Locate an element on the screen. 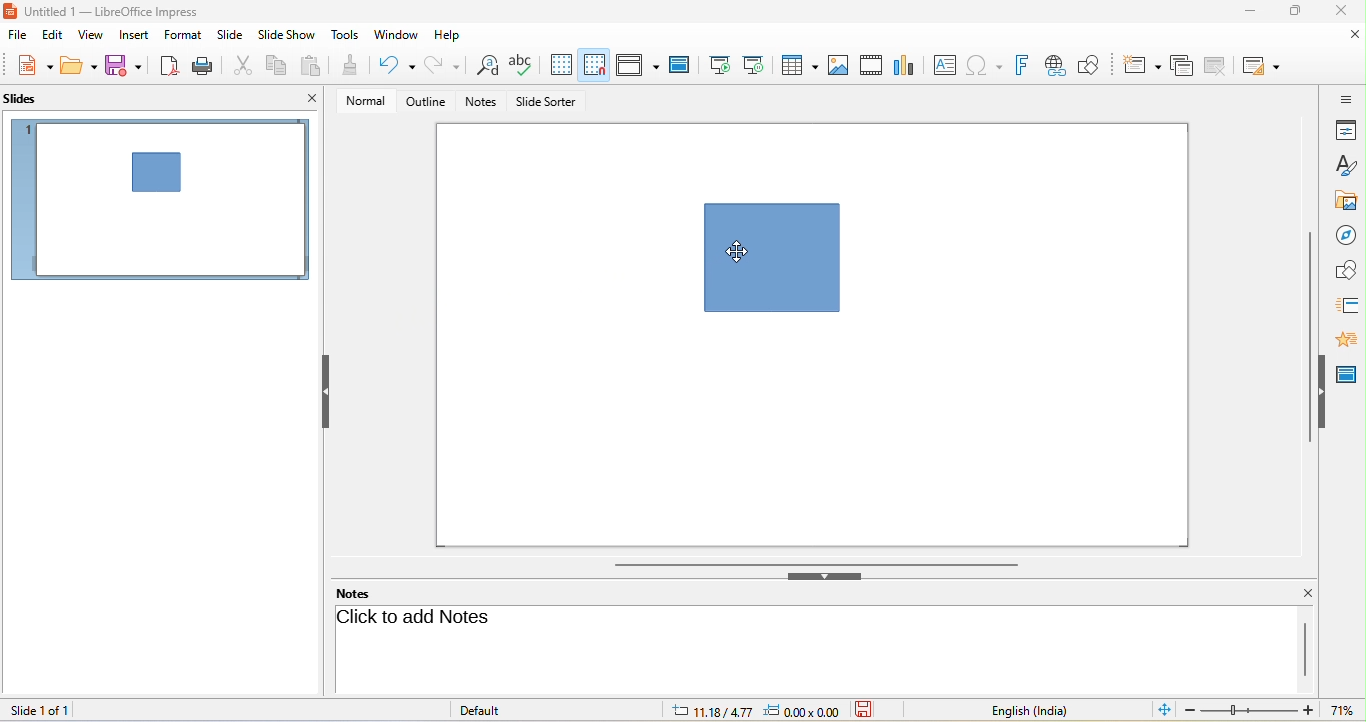 This screenshot has height=722, width=1366. hide is located at coordinates (1325, 391).